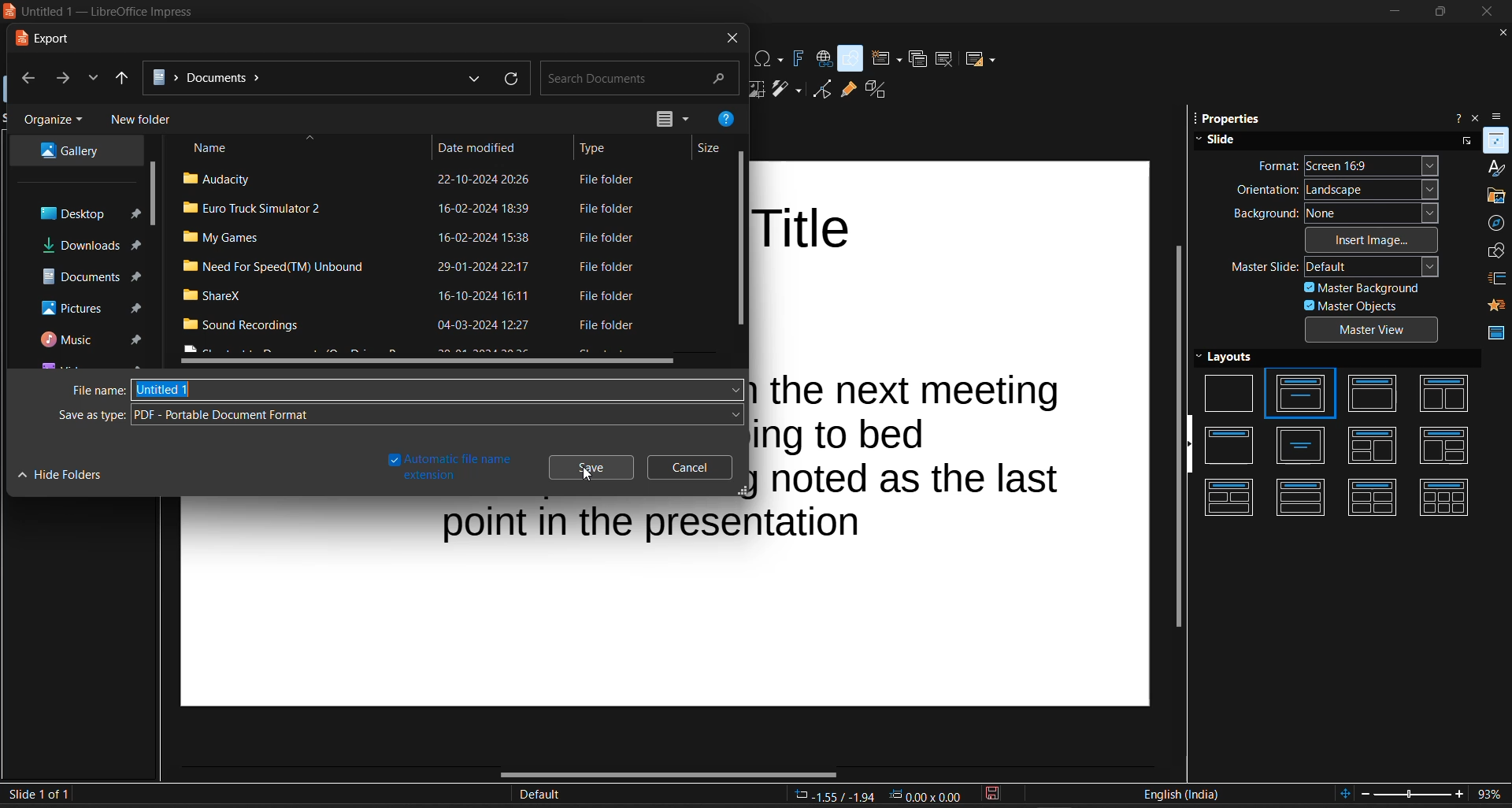 This screenshot has width=1512, height=808. What do you see at coordinates (591, 473) in the screenshot?
I see `cursor` at bounding box center [591, 473].